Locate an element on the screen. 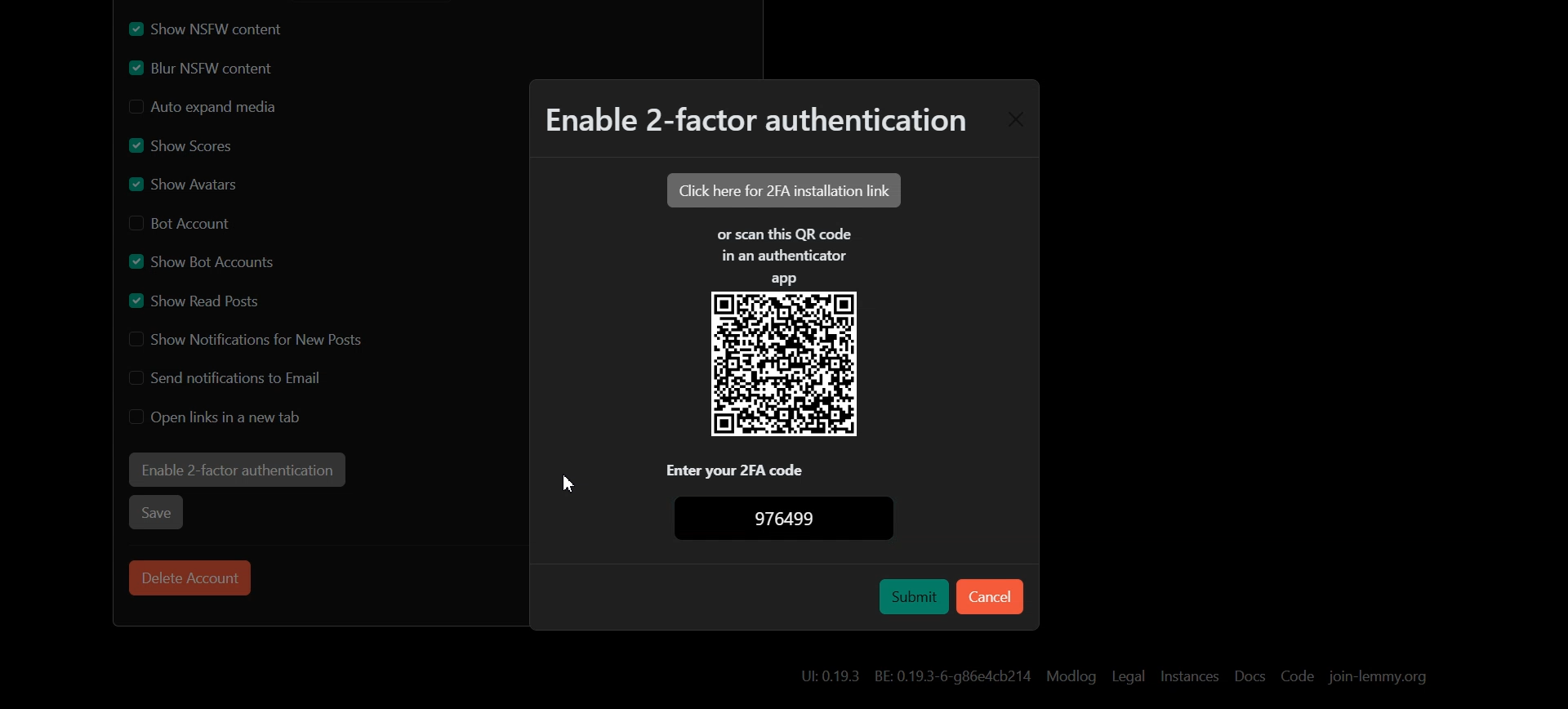  Enable Show read Posts is located at coordinates (203, 300).